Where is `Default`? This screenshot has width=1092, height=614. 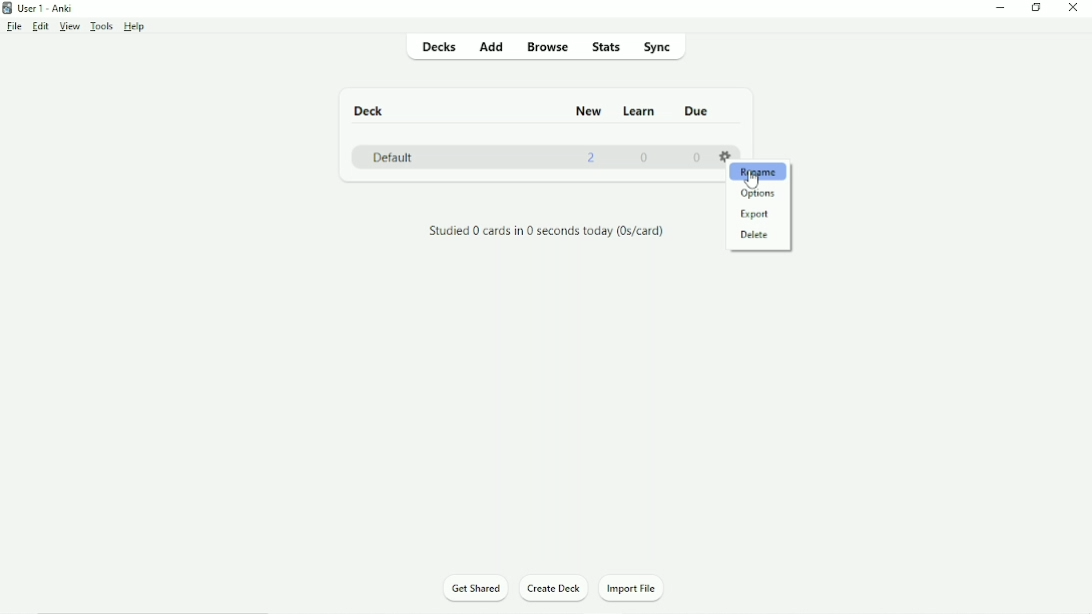 Default is located at coordinates (395, 156).